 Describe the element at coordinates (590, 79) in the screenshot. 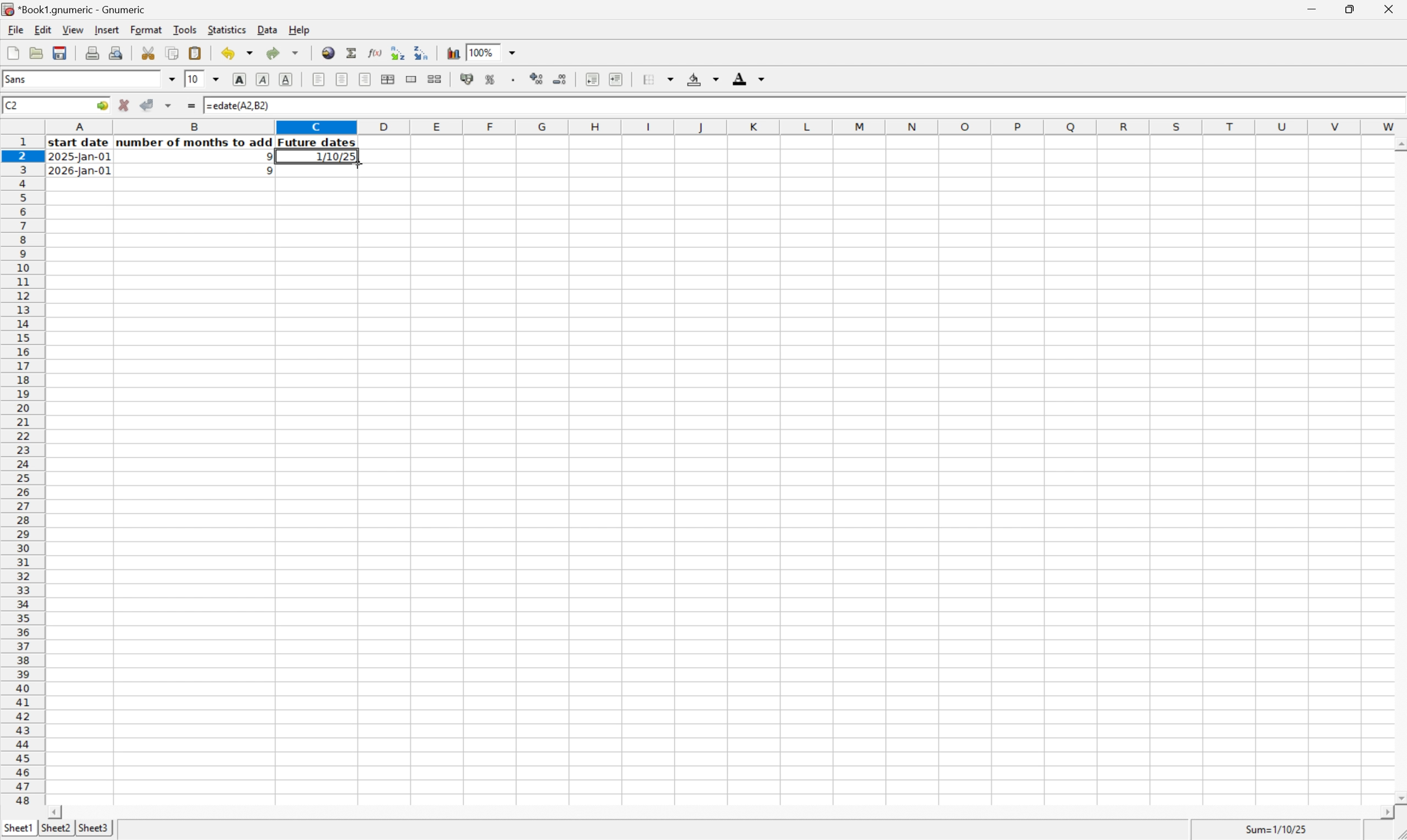

I see `Decrease indent, and align the contents to the left` at that location.